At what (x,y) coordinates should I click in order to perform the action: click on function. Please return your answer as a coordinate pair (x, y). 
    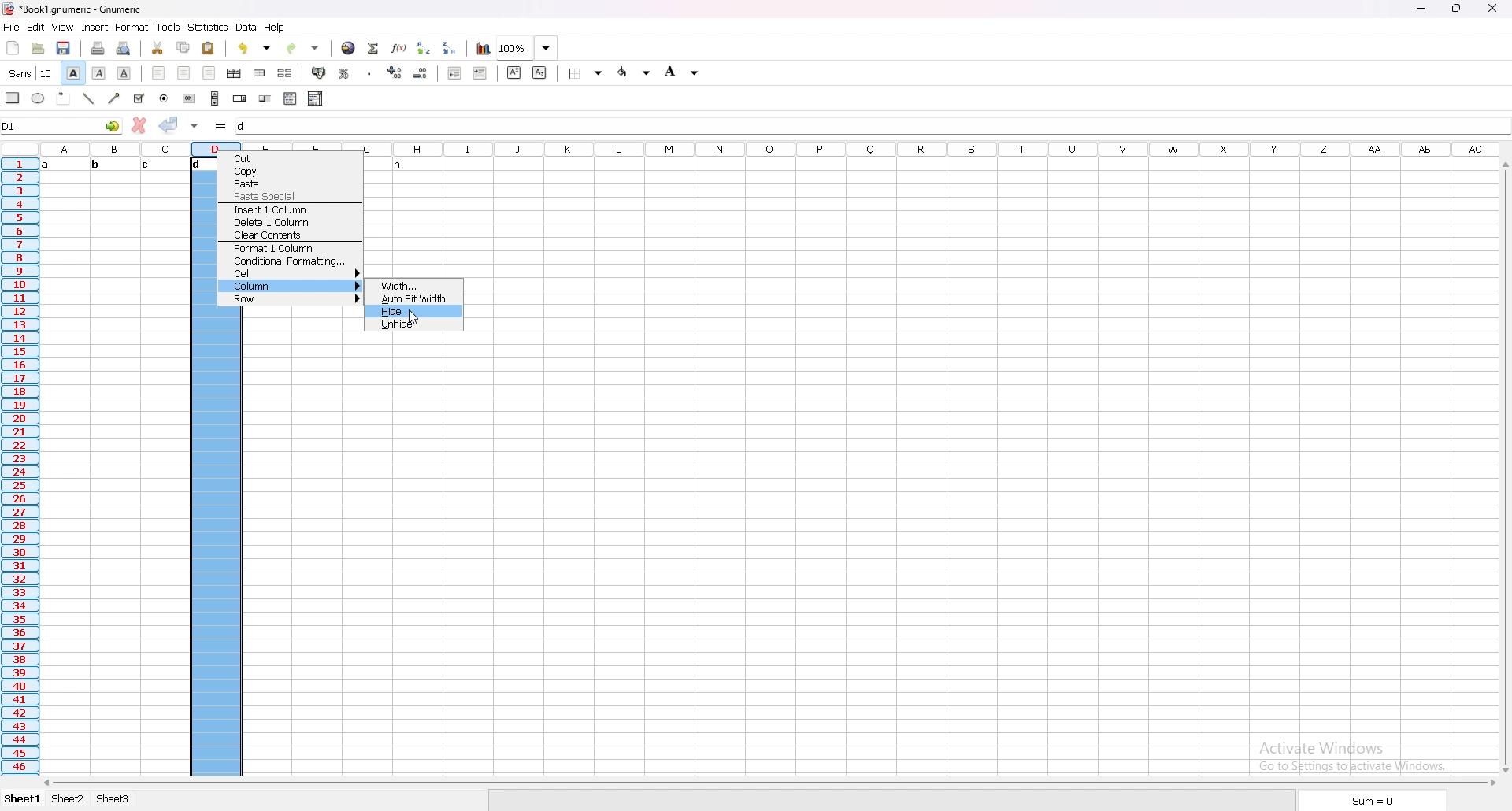
    Looking at the image, I should click on (398, 48).